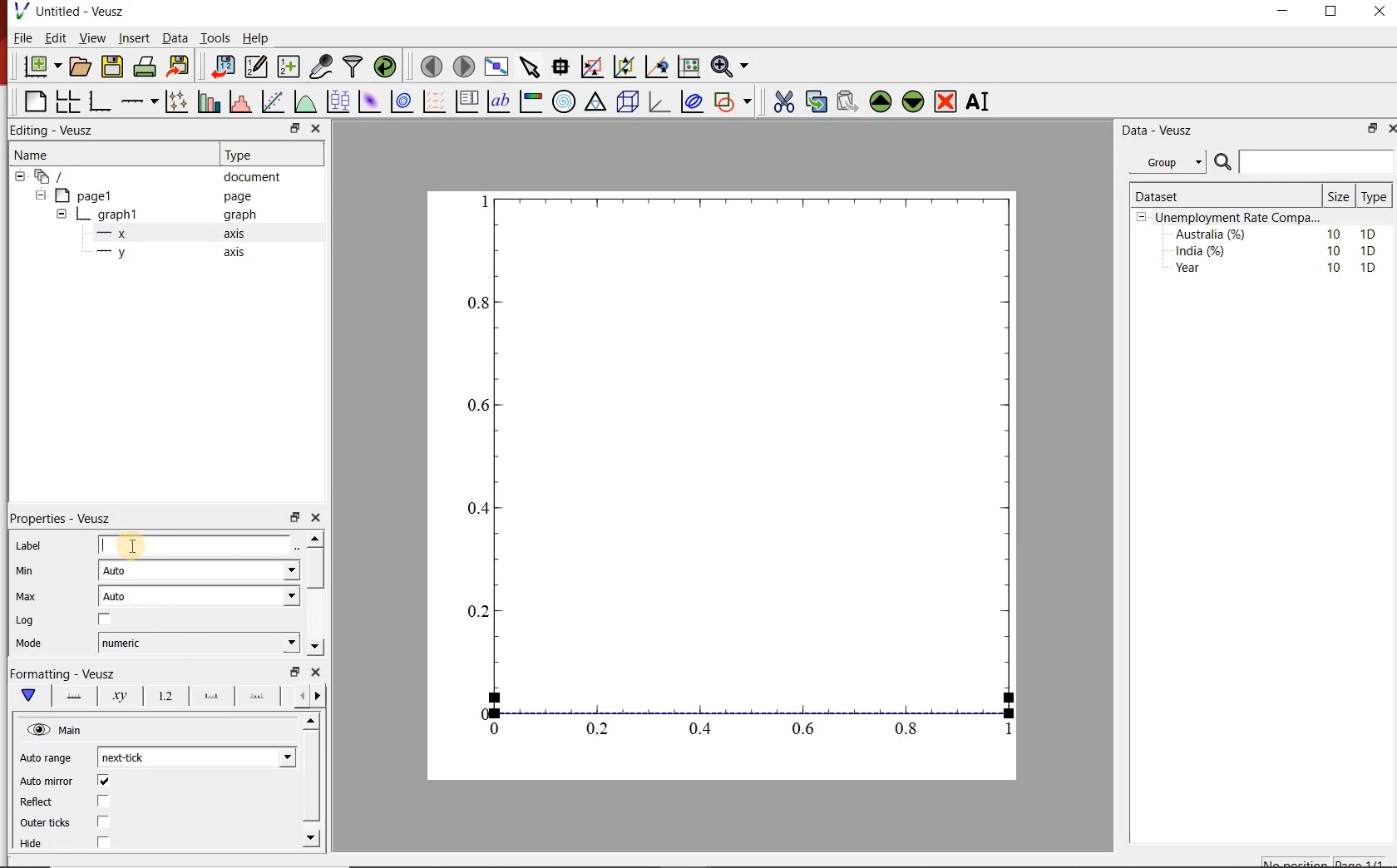 The height and width of the screenshot is (868, 1397). Describe the element at coordinates (593, 67) in the screenshot. I see `click or draw rectangle on the zoom graph axes` at that location.